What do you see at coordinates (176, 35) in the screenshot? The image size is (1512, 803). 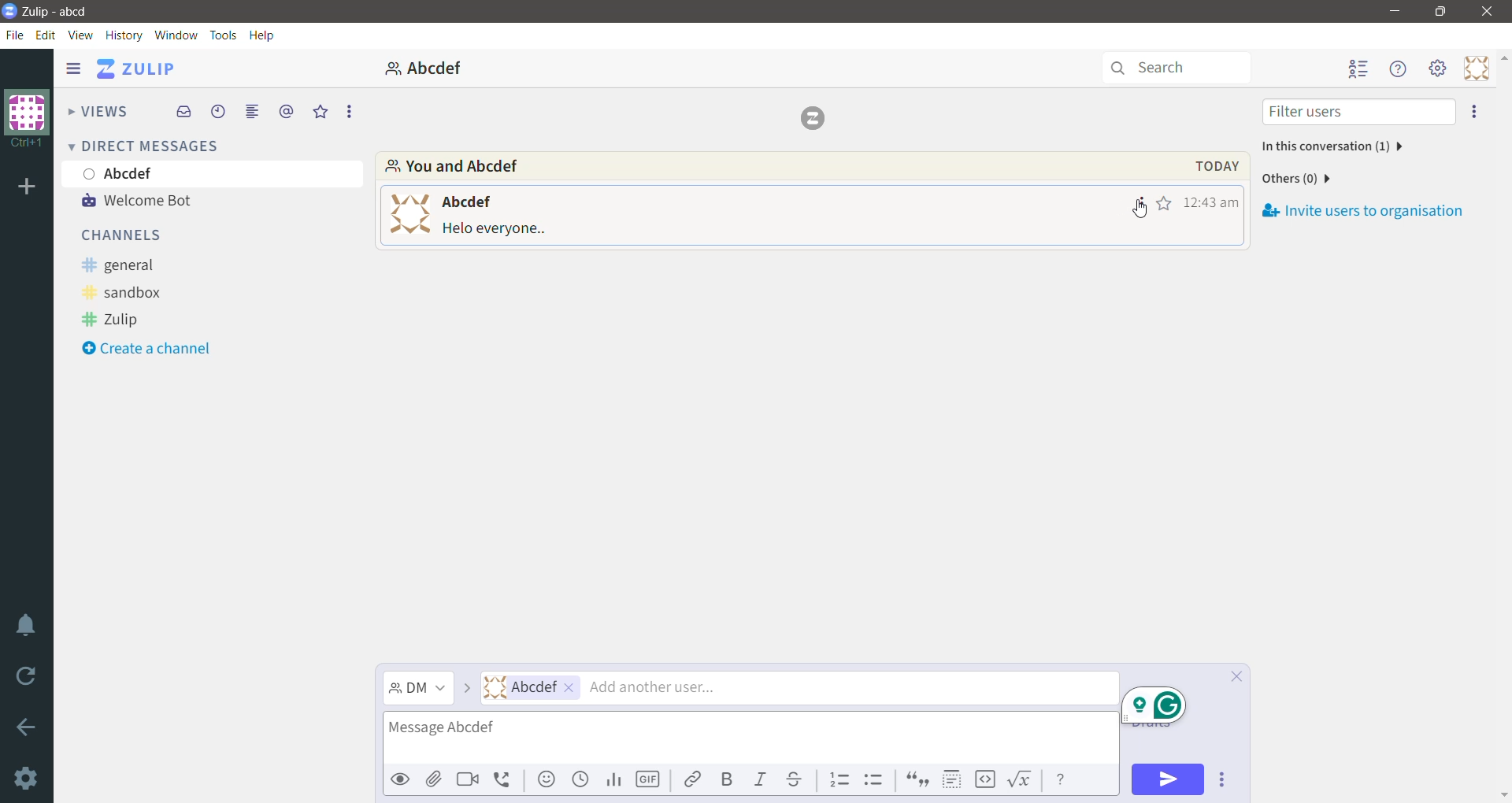 I see `Window` at bounding box center [176, 35].